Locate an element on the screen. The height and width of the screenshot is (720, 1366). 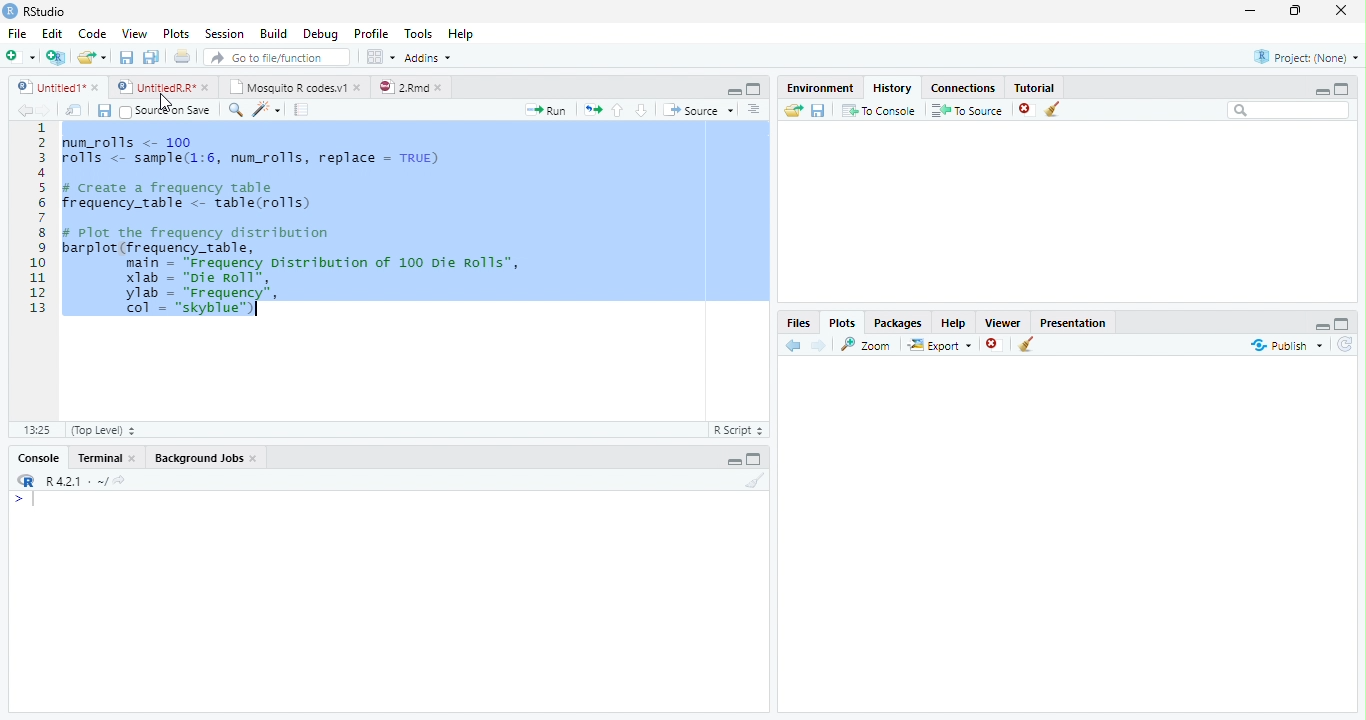
Remove Selected is located at coordinates (995, 346).